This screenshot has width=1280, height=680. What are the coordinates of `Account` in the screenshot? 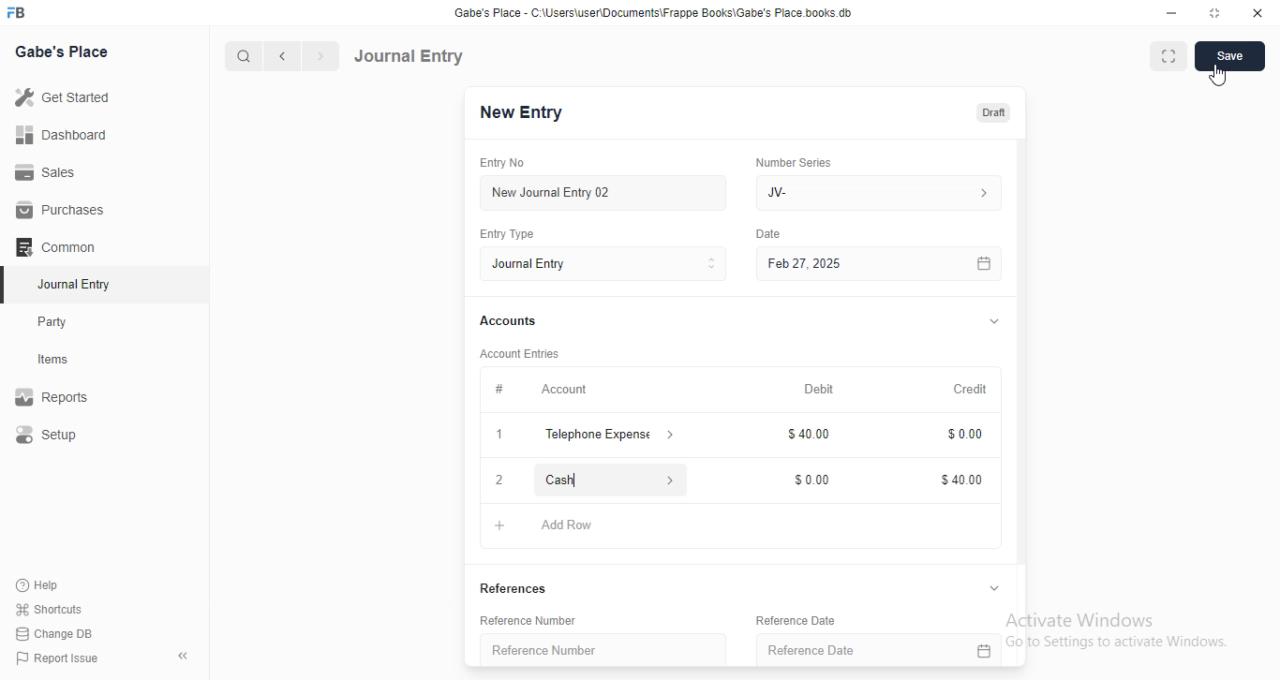 It's located at (565, 390).